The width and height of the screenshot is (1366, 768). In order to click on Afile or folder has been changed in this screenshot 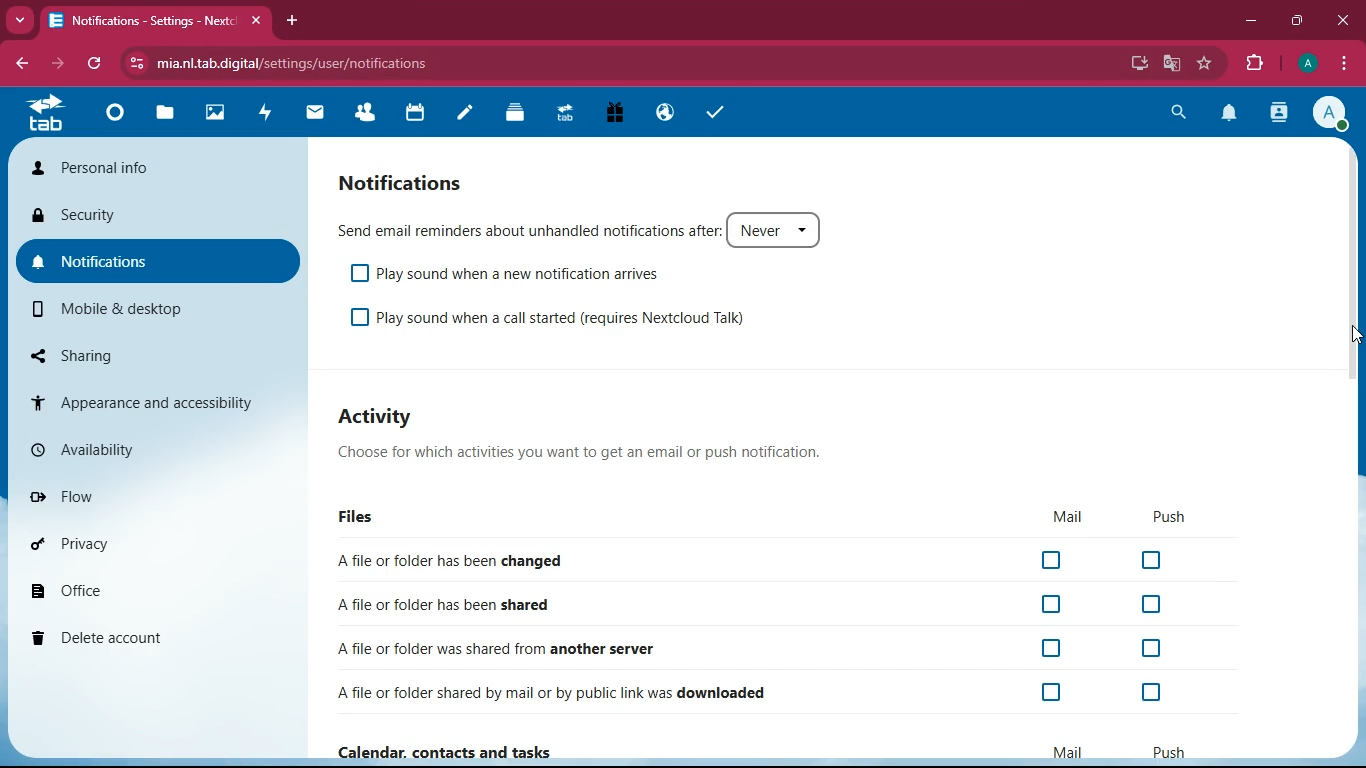, I will do `click(460, 560)`.